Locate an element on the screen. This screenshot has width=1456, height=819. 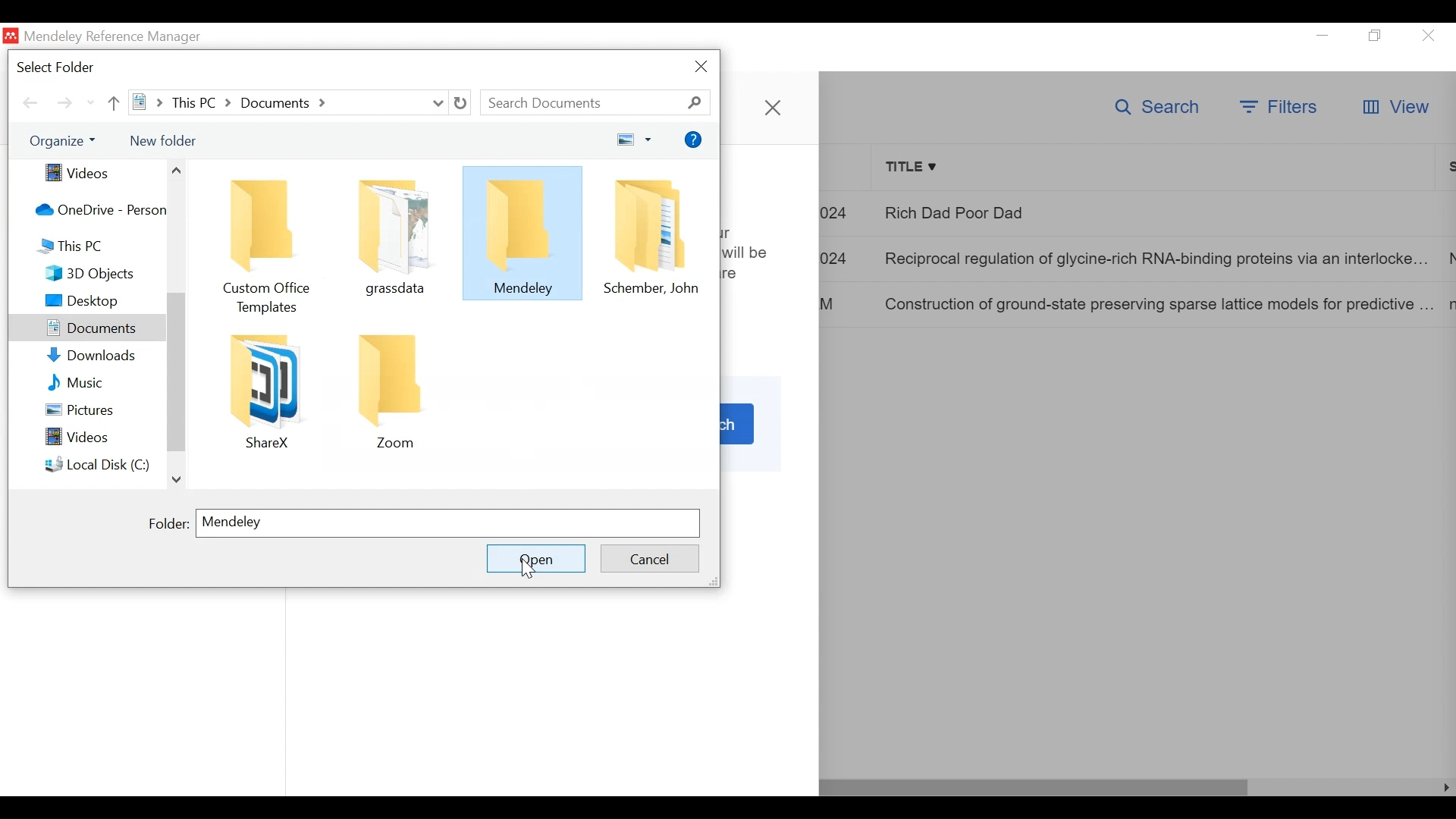
Videos is located at coordinates (99, 173).